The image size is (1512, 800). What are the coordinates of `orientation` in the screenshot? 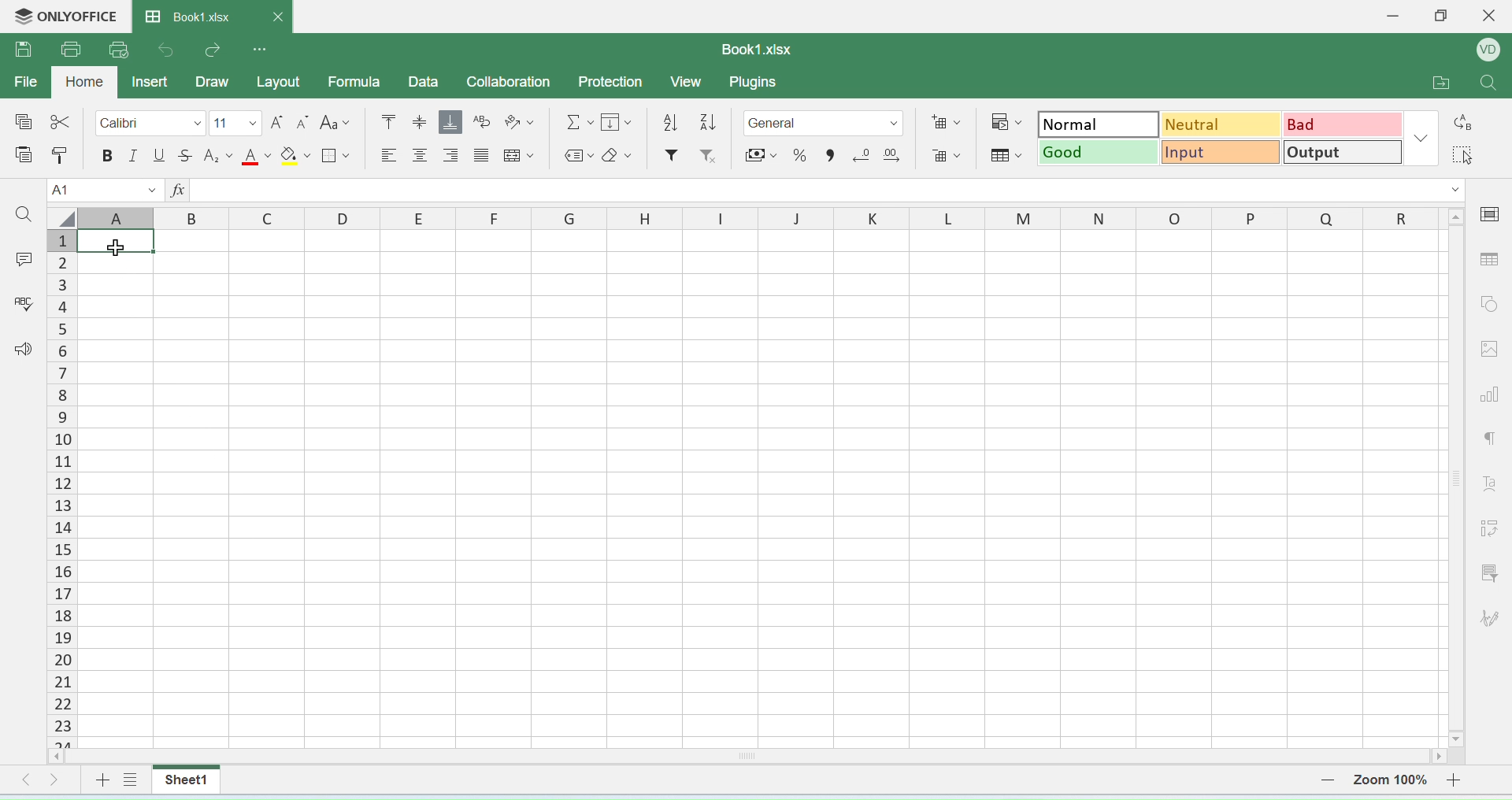 It's located at (520, 122).